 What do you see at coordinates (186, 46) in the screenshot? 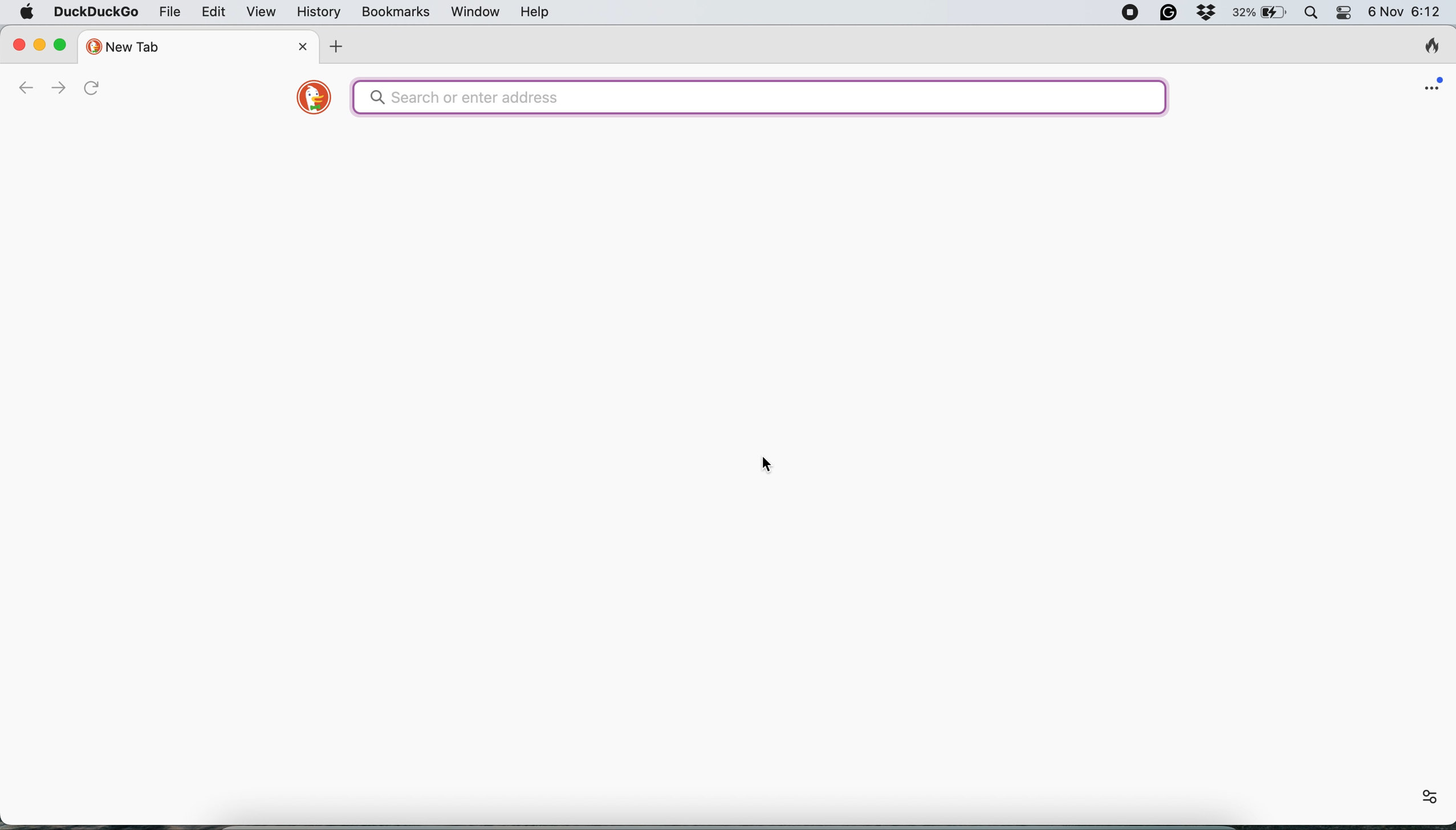
I see `new tab` at bounding box center [186, 46].